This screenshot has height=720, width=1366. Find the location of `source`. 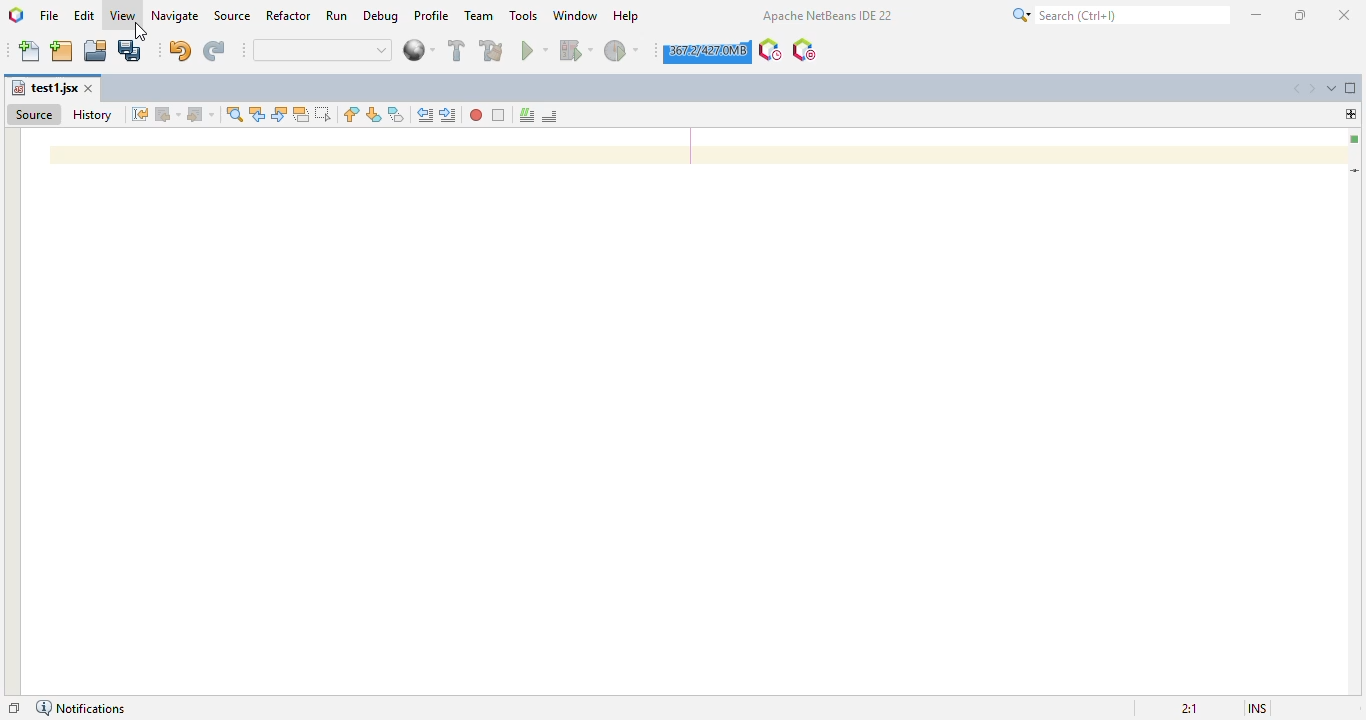

source is located at coordinates (36, 115).